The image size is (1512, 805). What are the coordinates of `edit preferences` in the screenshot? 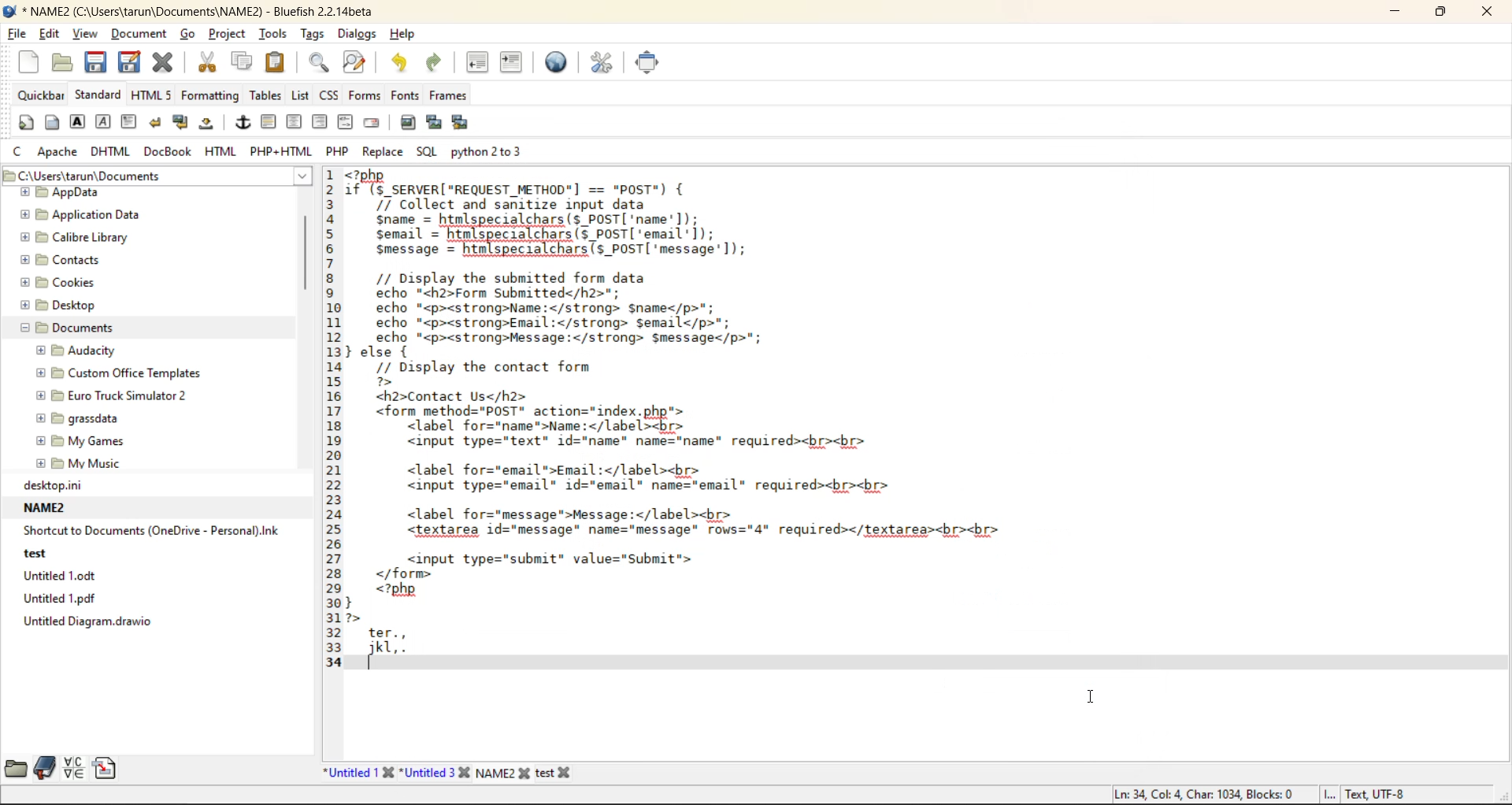 It's located at (605, 64).